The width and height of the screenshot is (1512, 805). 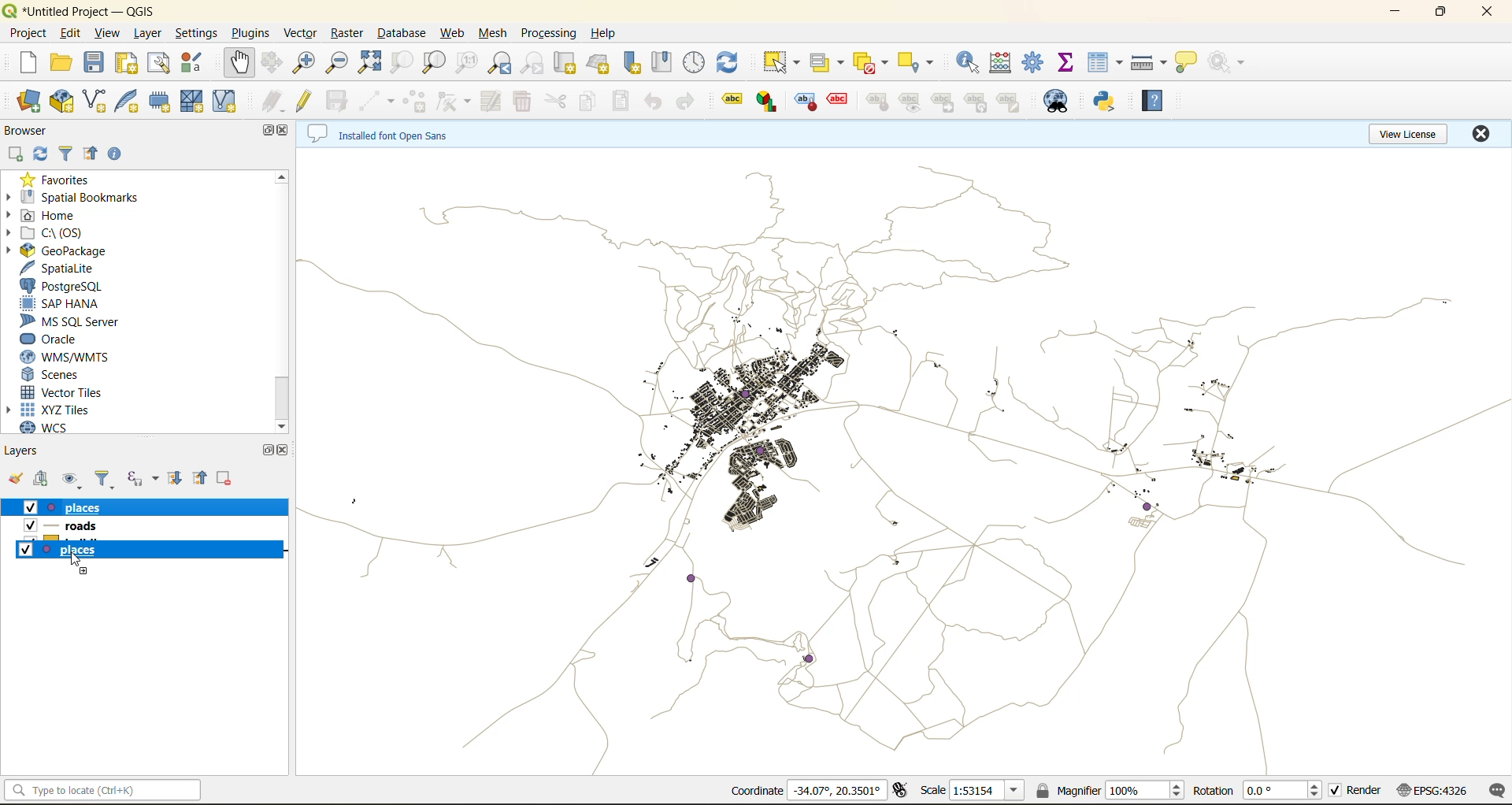 What do you see at coordinates (196, 103) in the screenshot?
I see `mesh layer` at bounding box center [196, 103].